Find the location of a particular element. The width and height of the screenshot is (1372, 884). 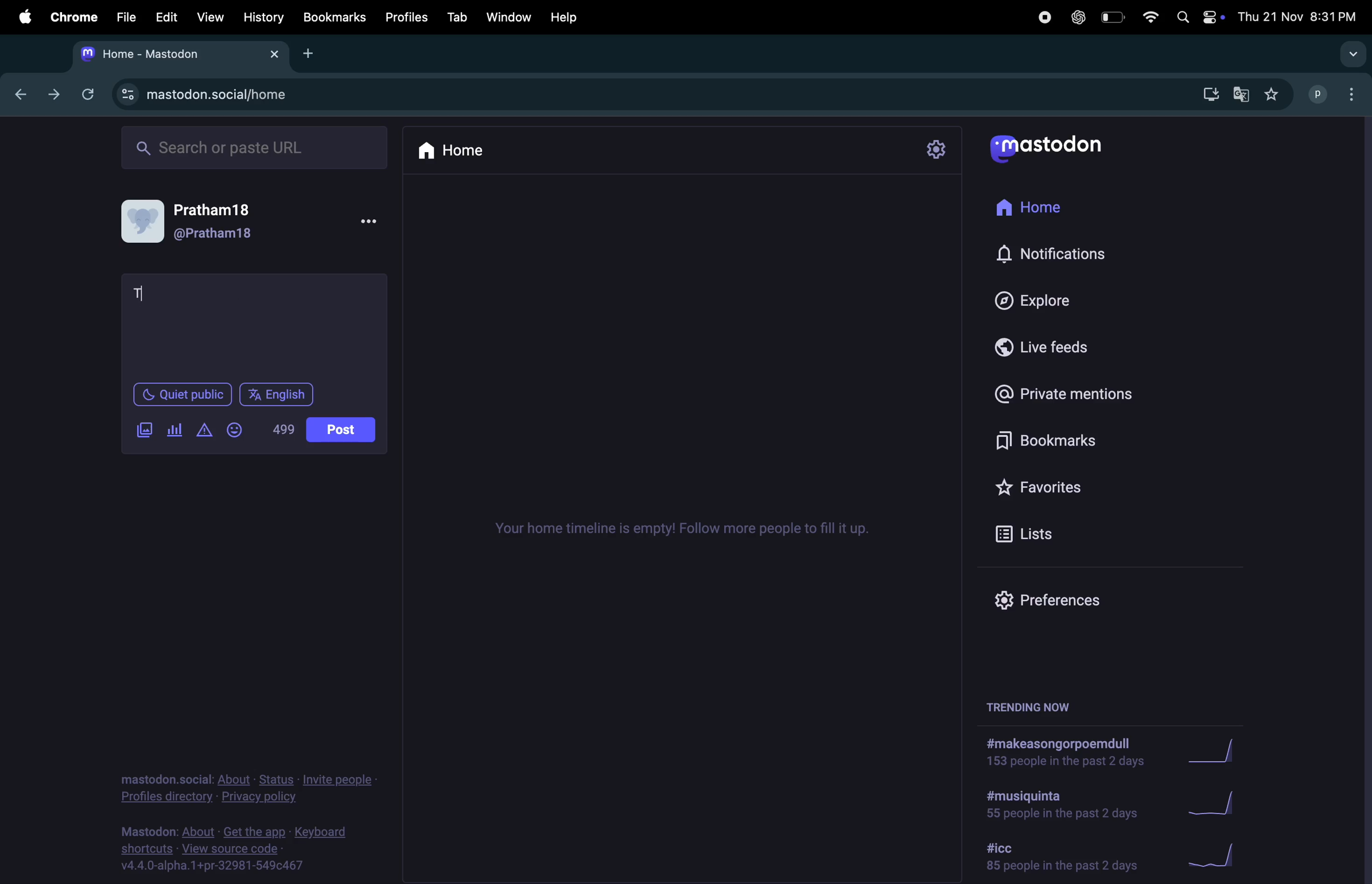

trending now is located at coordinates (1036, 704).